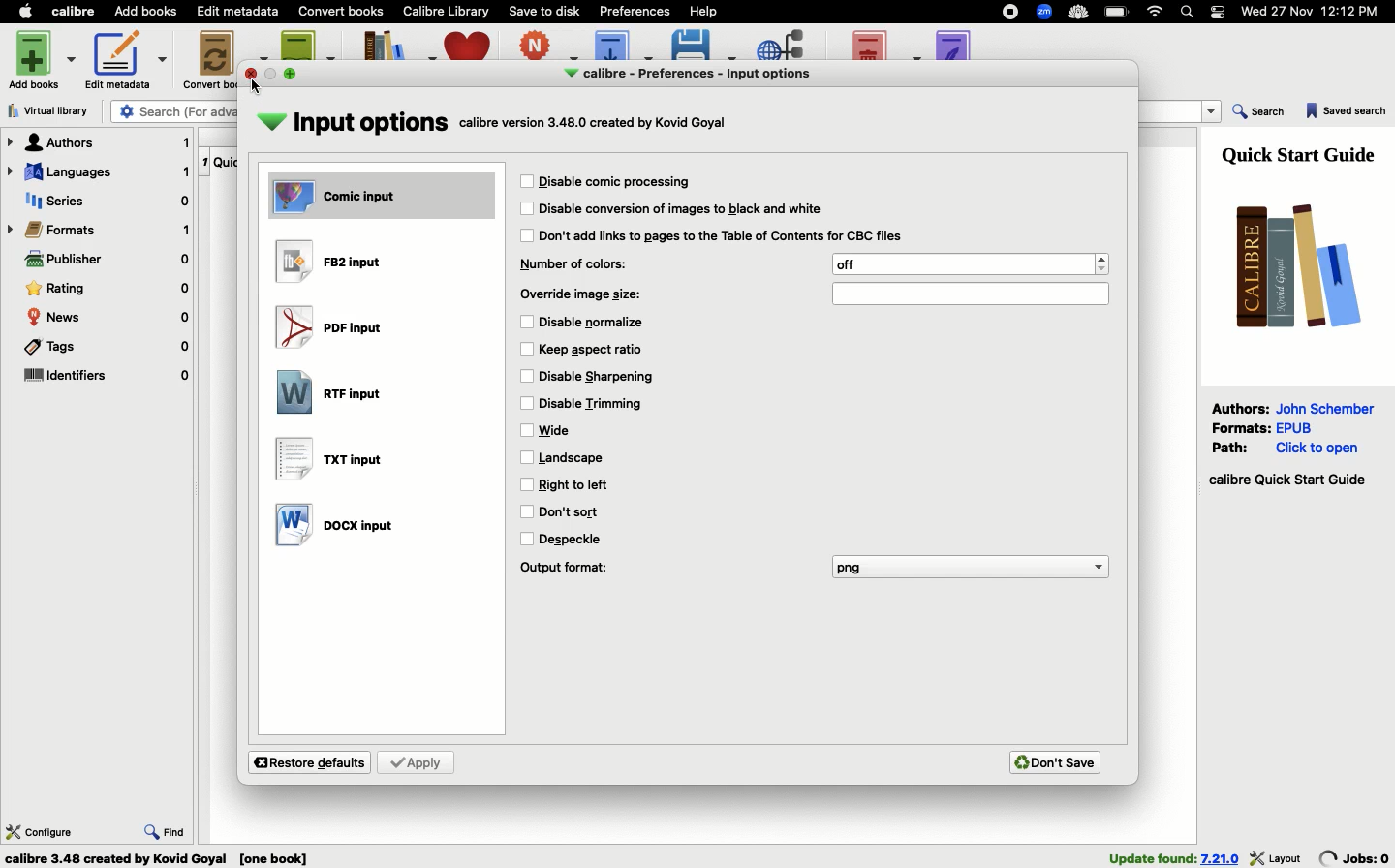  What do you see at coordinates (1317, 13) in the screenshot?
I see `Date` at bounding box center [1317, 13].